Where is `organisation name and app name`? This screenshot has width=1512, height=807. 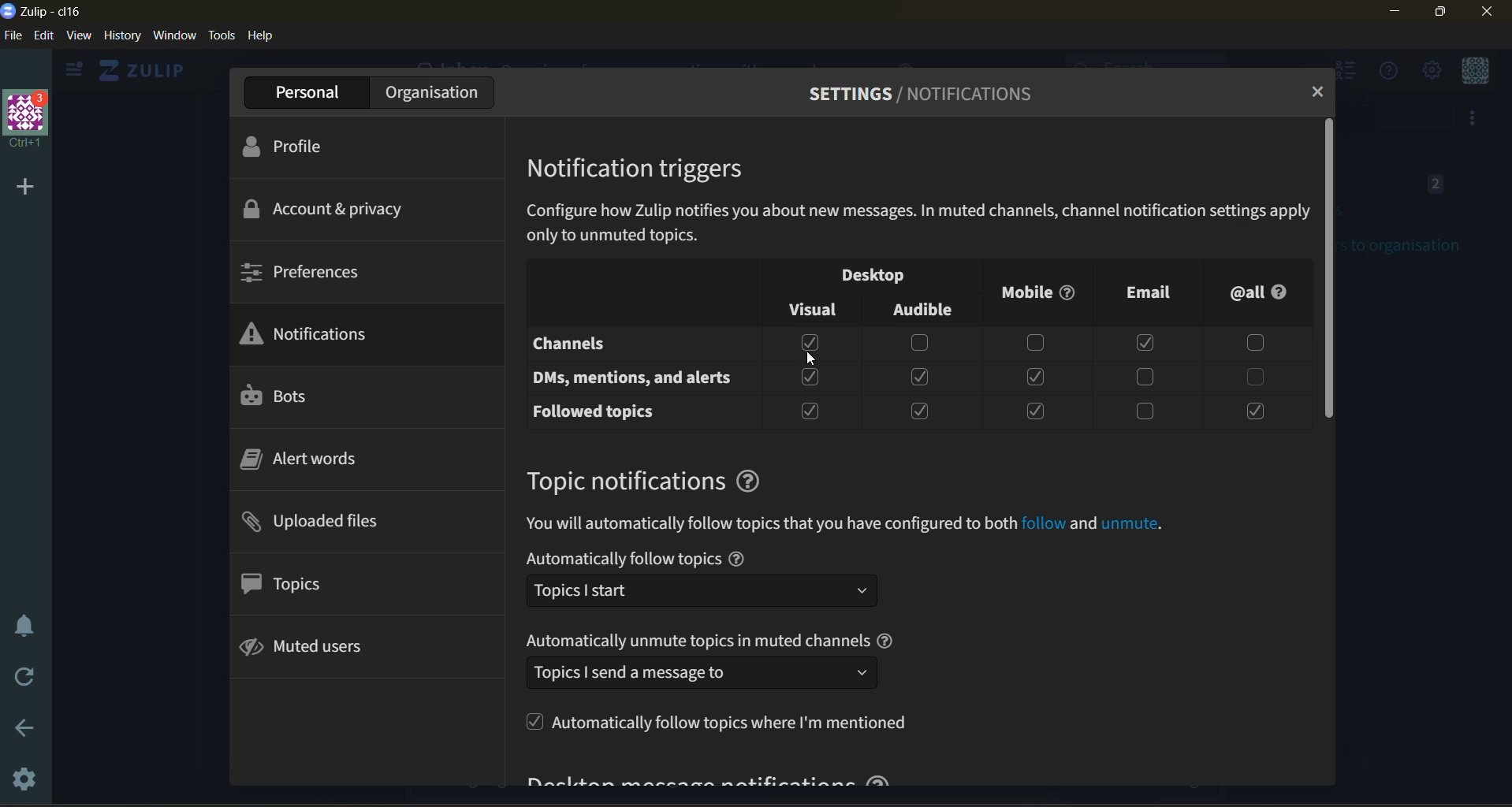
organisation name and app name is located at coordinates (43, 9).